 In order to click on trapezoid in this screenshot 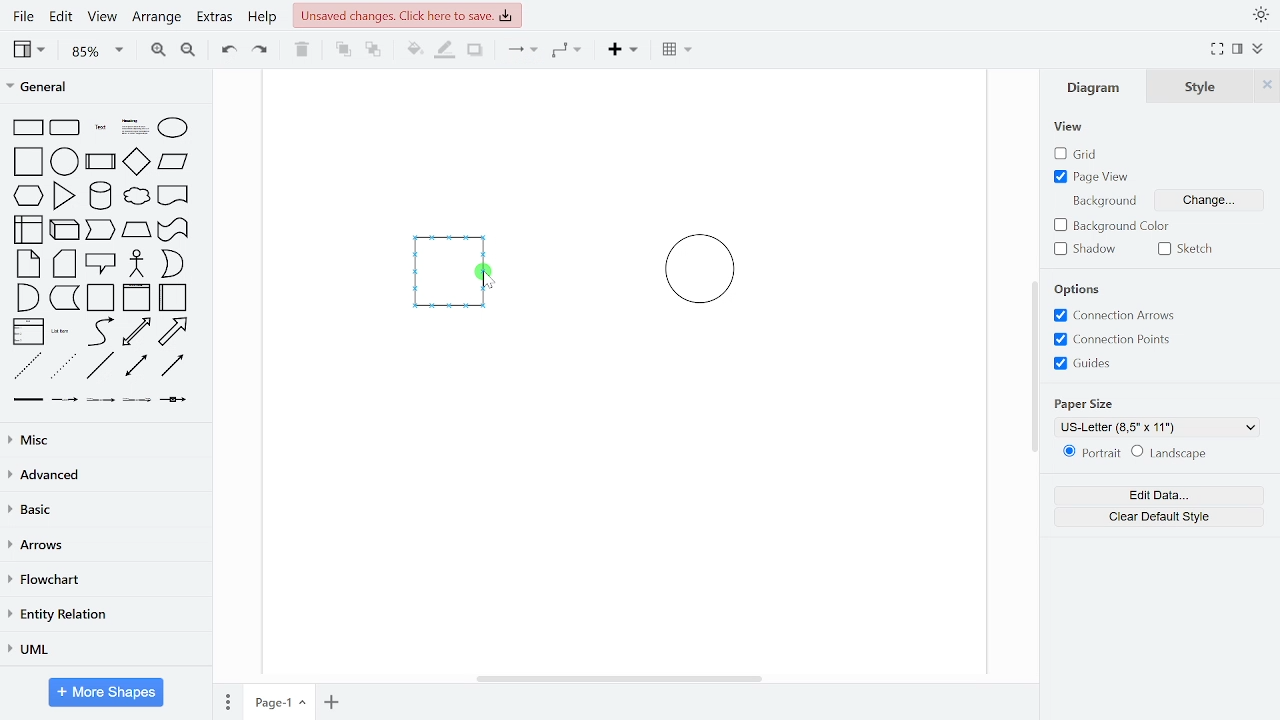, I will do `click(136, 229)`.